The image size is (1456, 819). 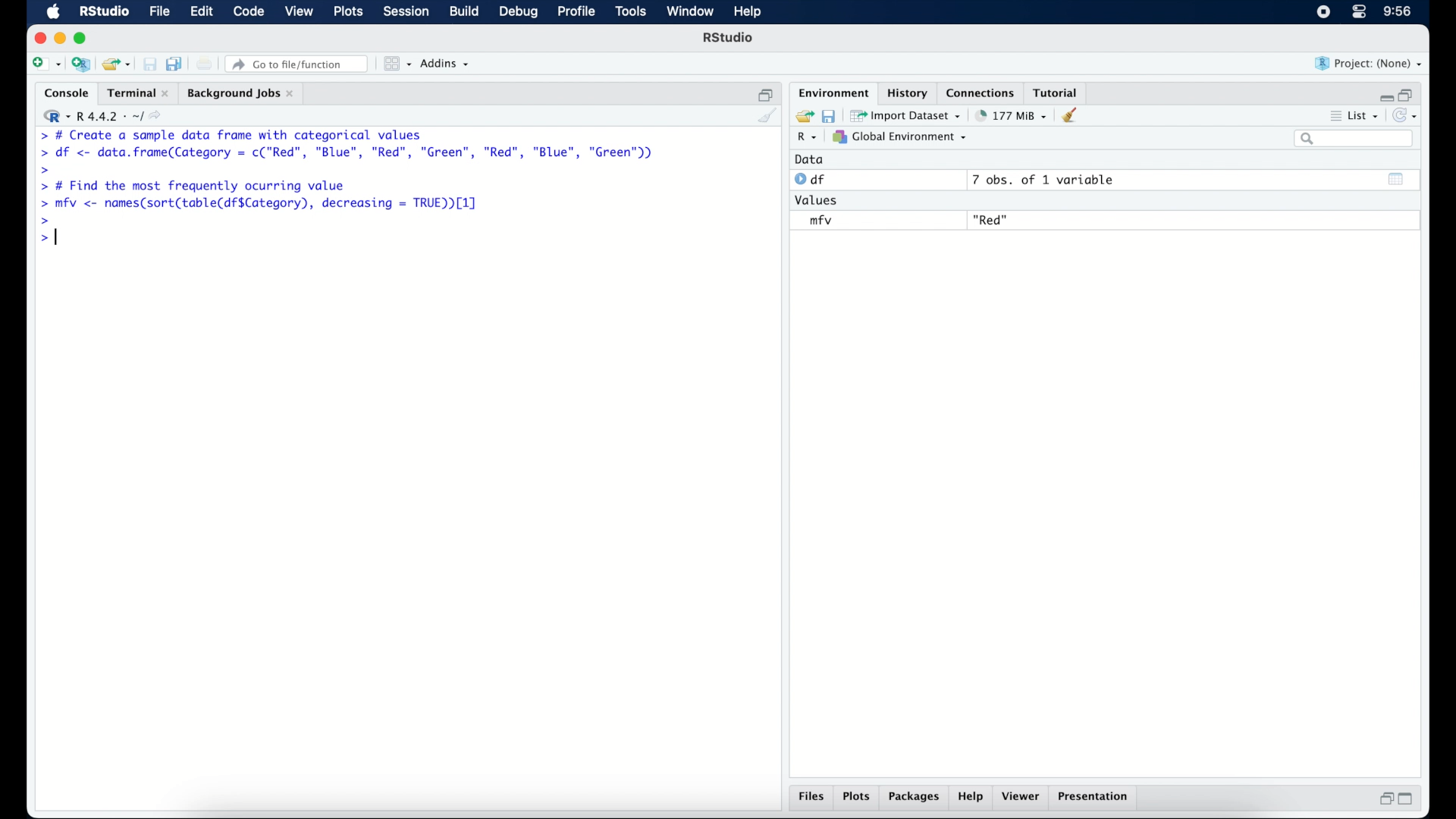 I want to click on plots, so click(x=857, y=798).